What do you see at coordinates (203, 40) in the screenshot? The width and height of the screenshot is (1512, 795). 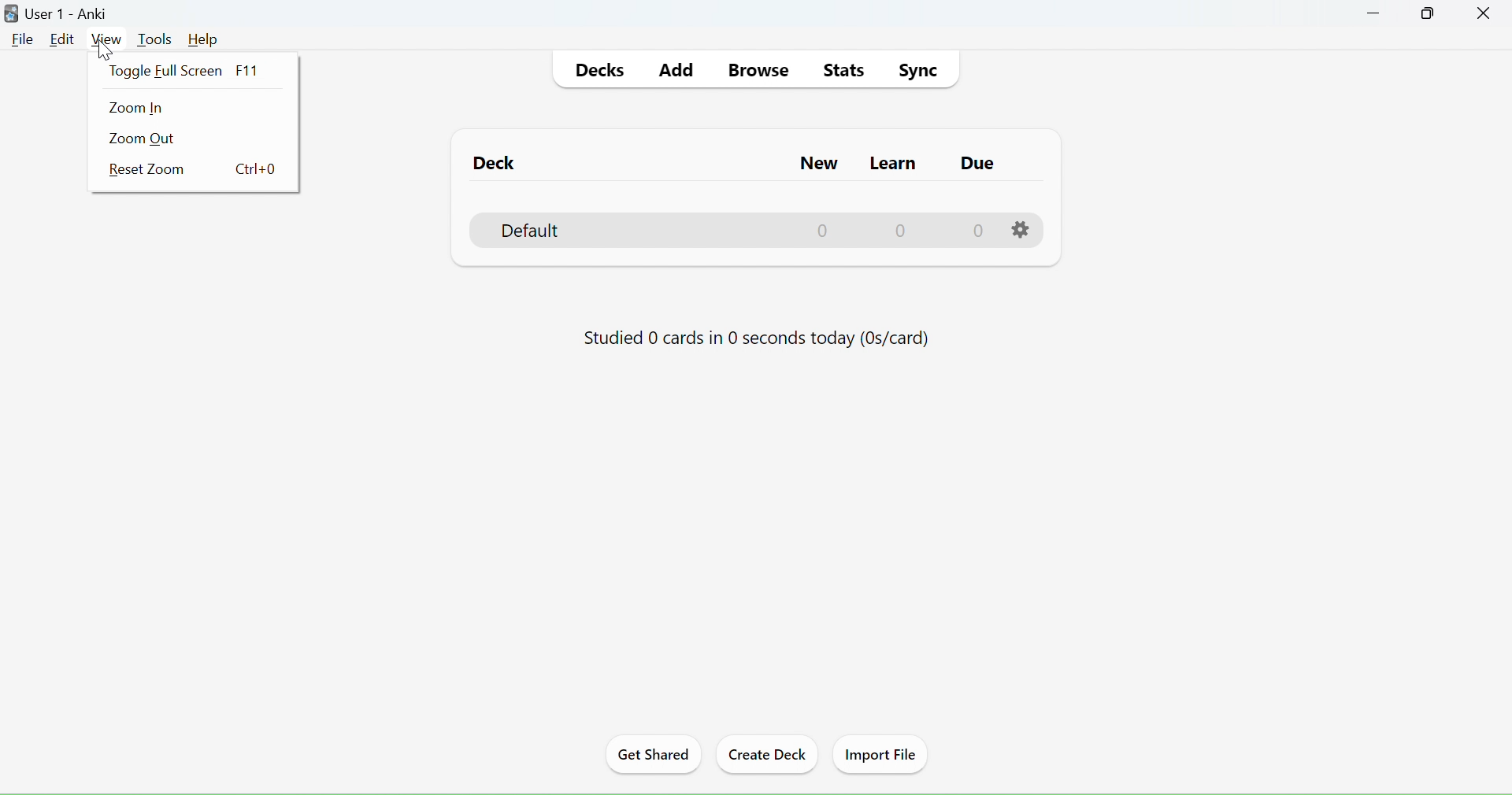 I see `help` at bounding box center [203, 40].